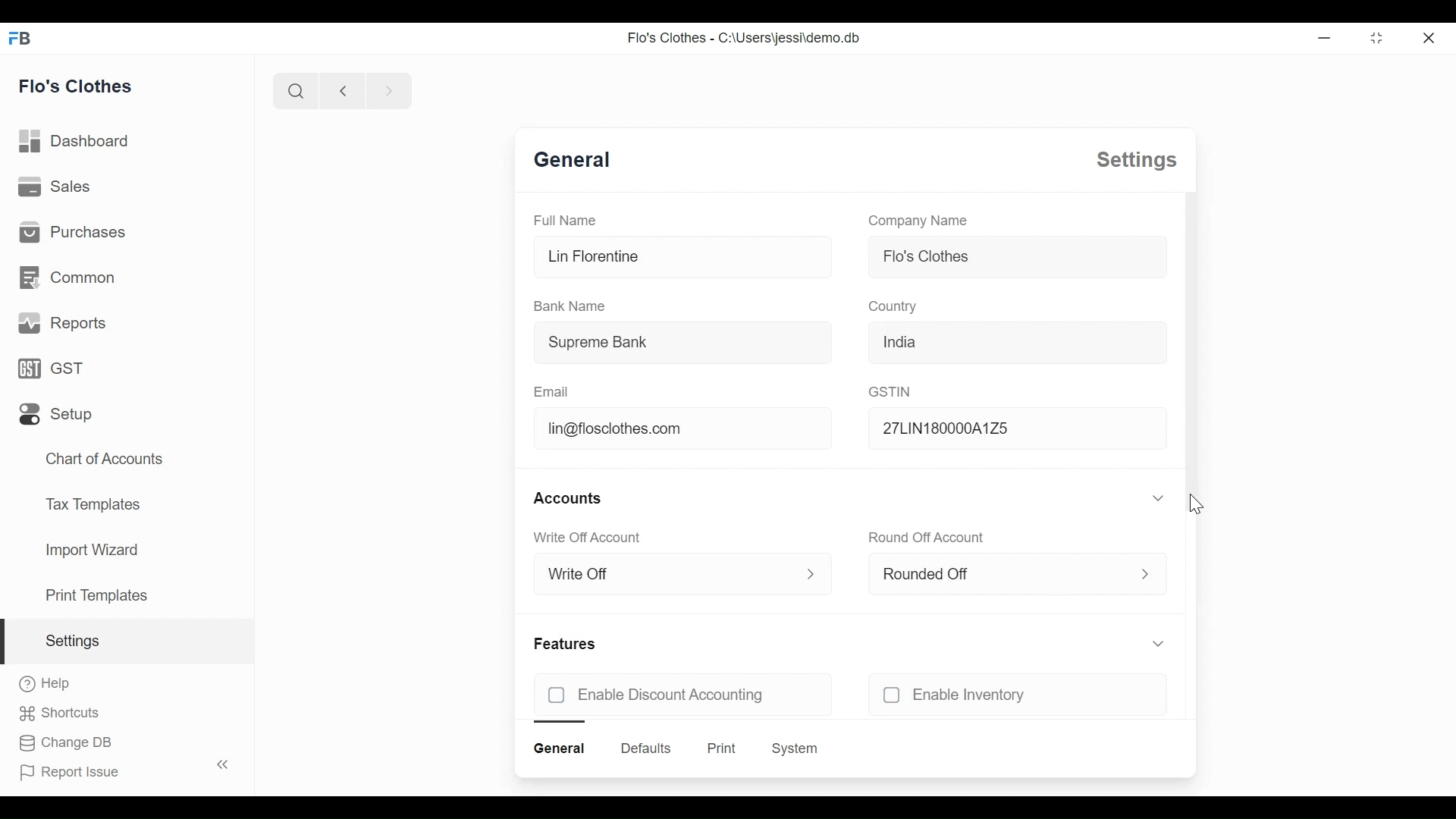 The image size is (1456, 819). Describe the element at coordinates (681, 430) in the screenshot. I see `lin@flosclothes.com` at that location.